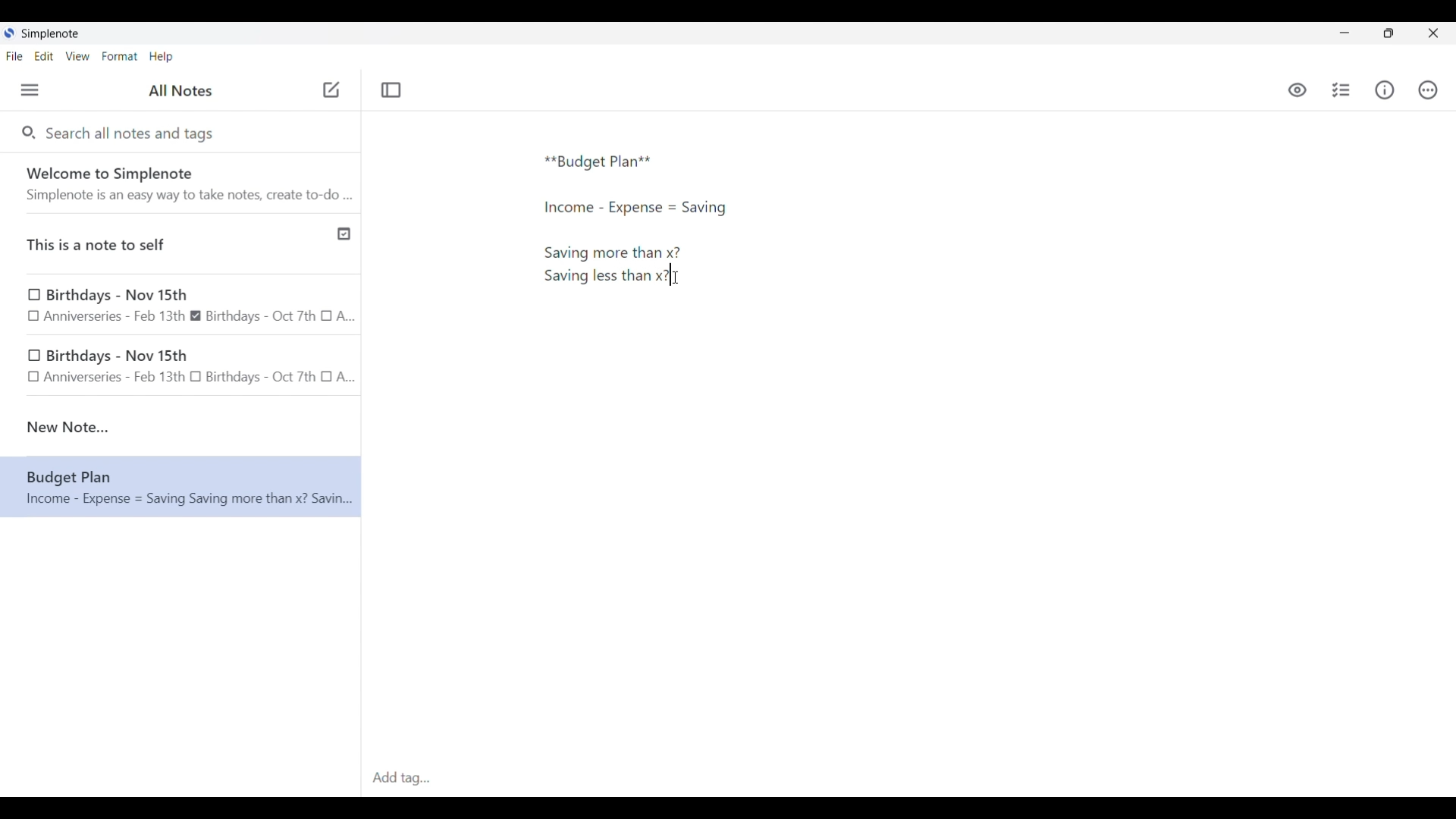 The height and width of the screenshot is (819, 1456). Describe the element at coordinates (182, 369) in the screenshot. I see `birthday note` at that location.